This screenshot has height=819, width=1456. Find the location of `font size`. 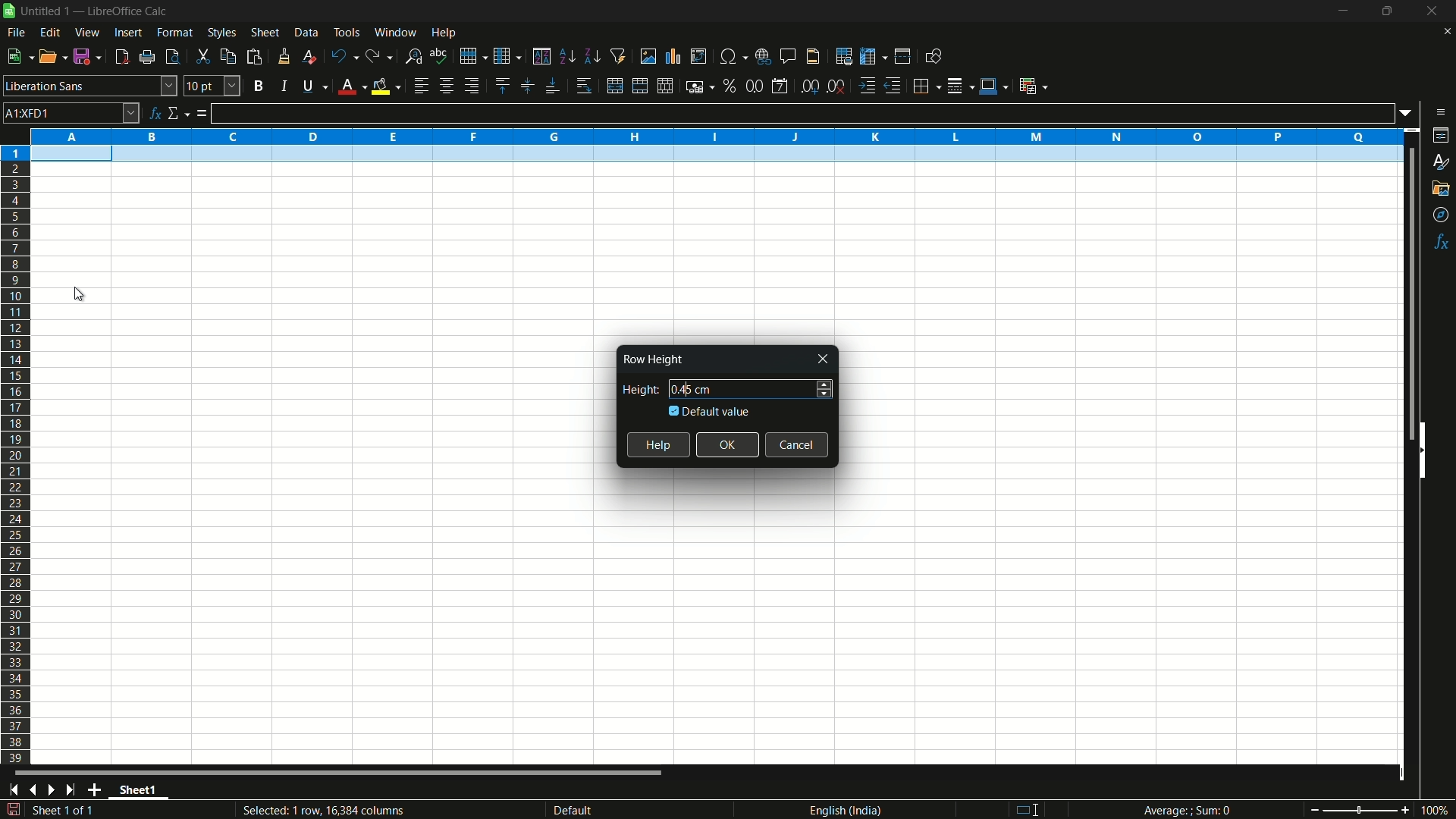

font size is located at coordinates (212, 86).